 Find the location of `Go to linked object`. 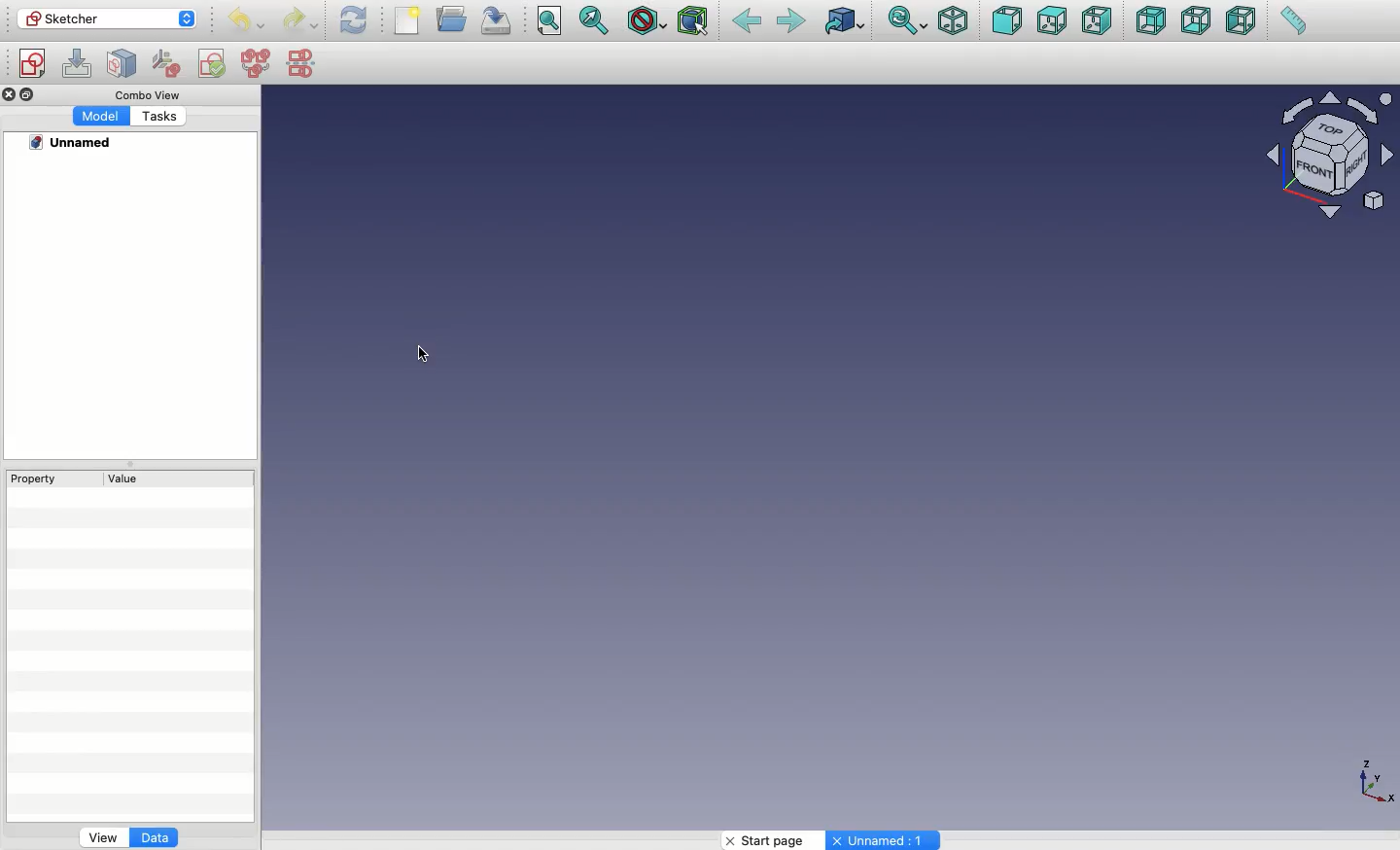

Go to linked object is located at coordinates (848, 22).